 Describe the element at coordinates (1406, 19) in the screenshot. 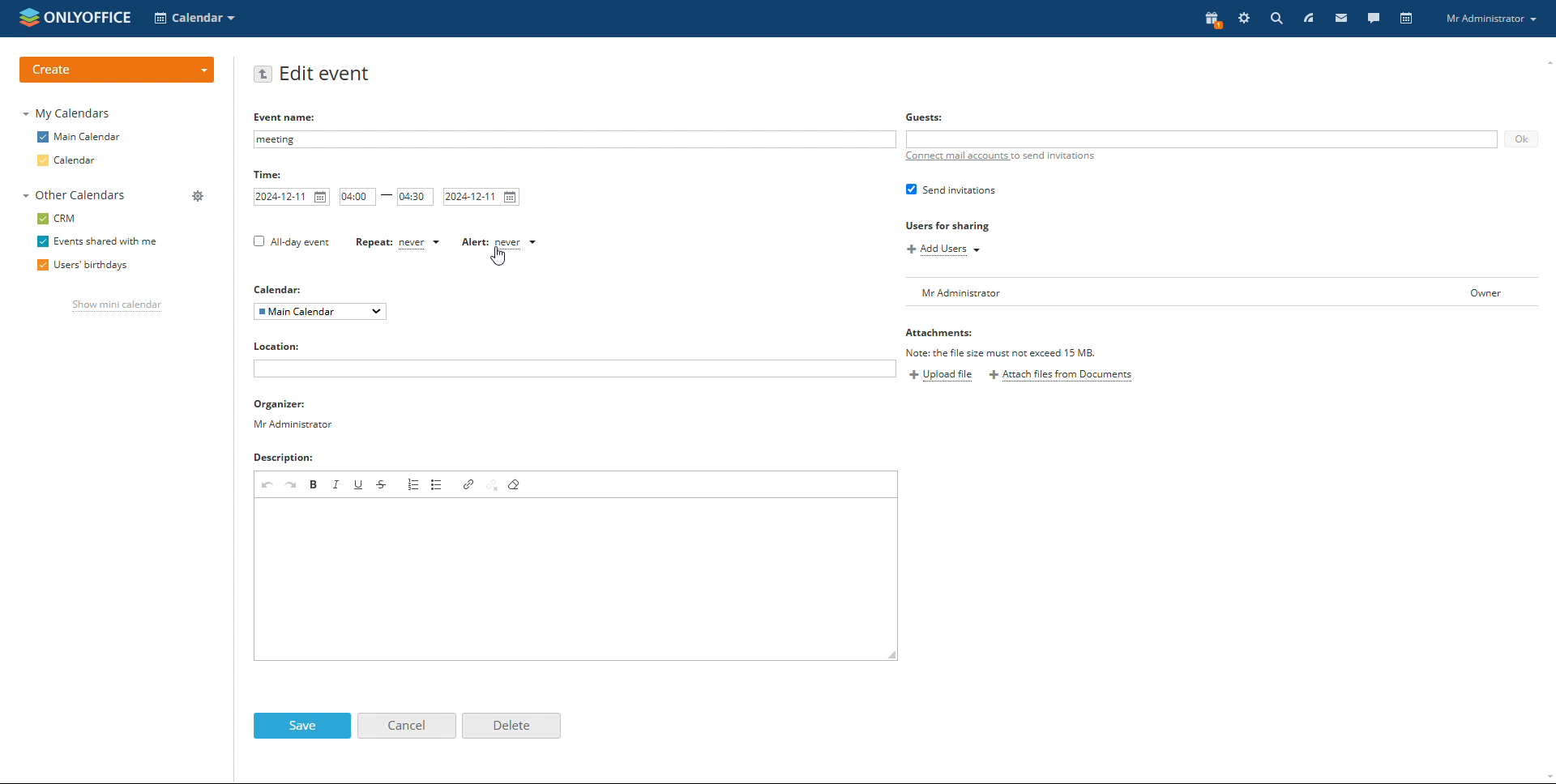

I see `calendar` at that location.